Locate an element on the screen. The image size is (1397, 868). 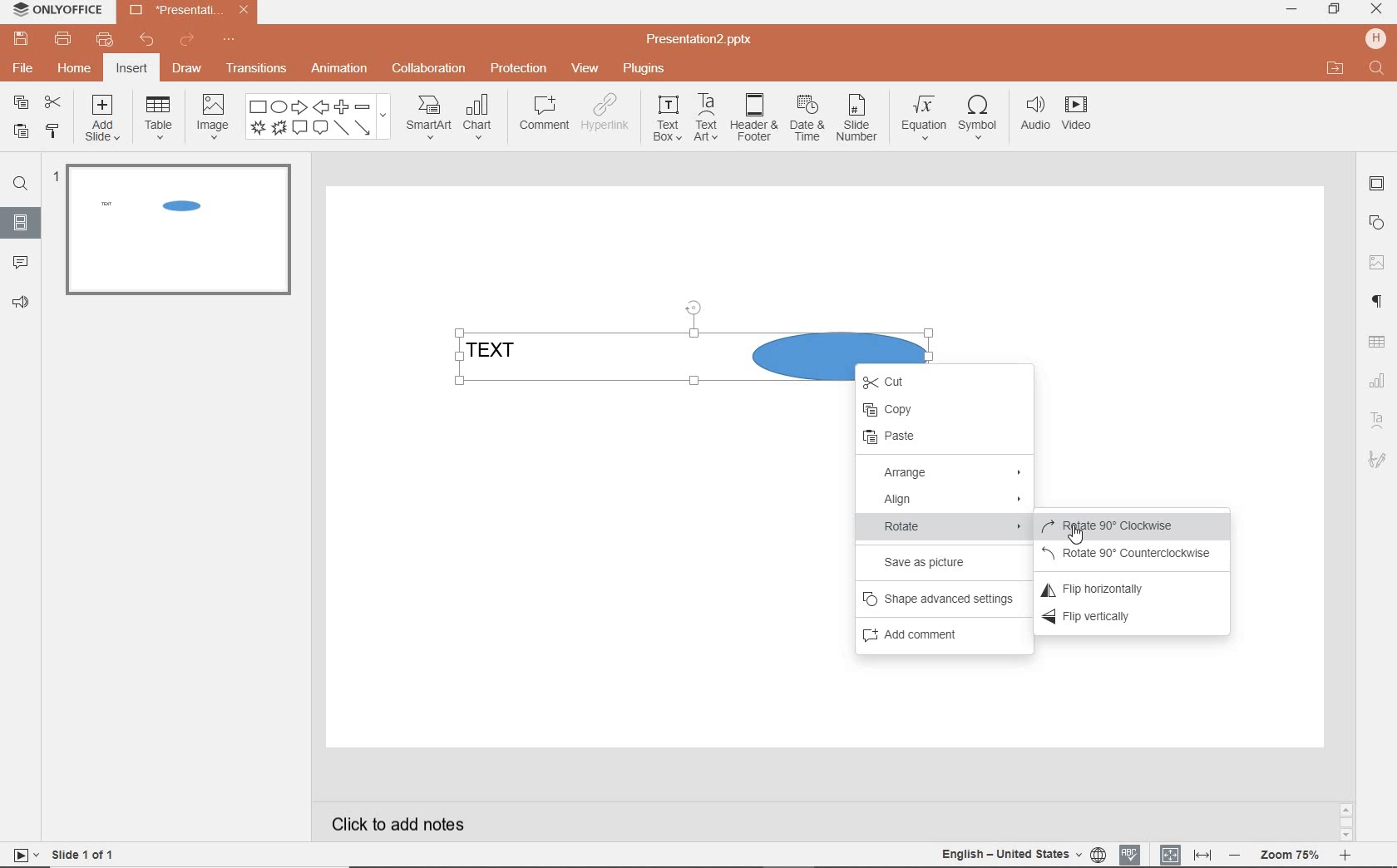
undo is located at coordinates (141, 41).